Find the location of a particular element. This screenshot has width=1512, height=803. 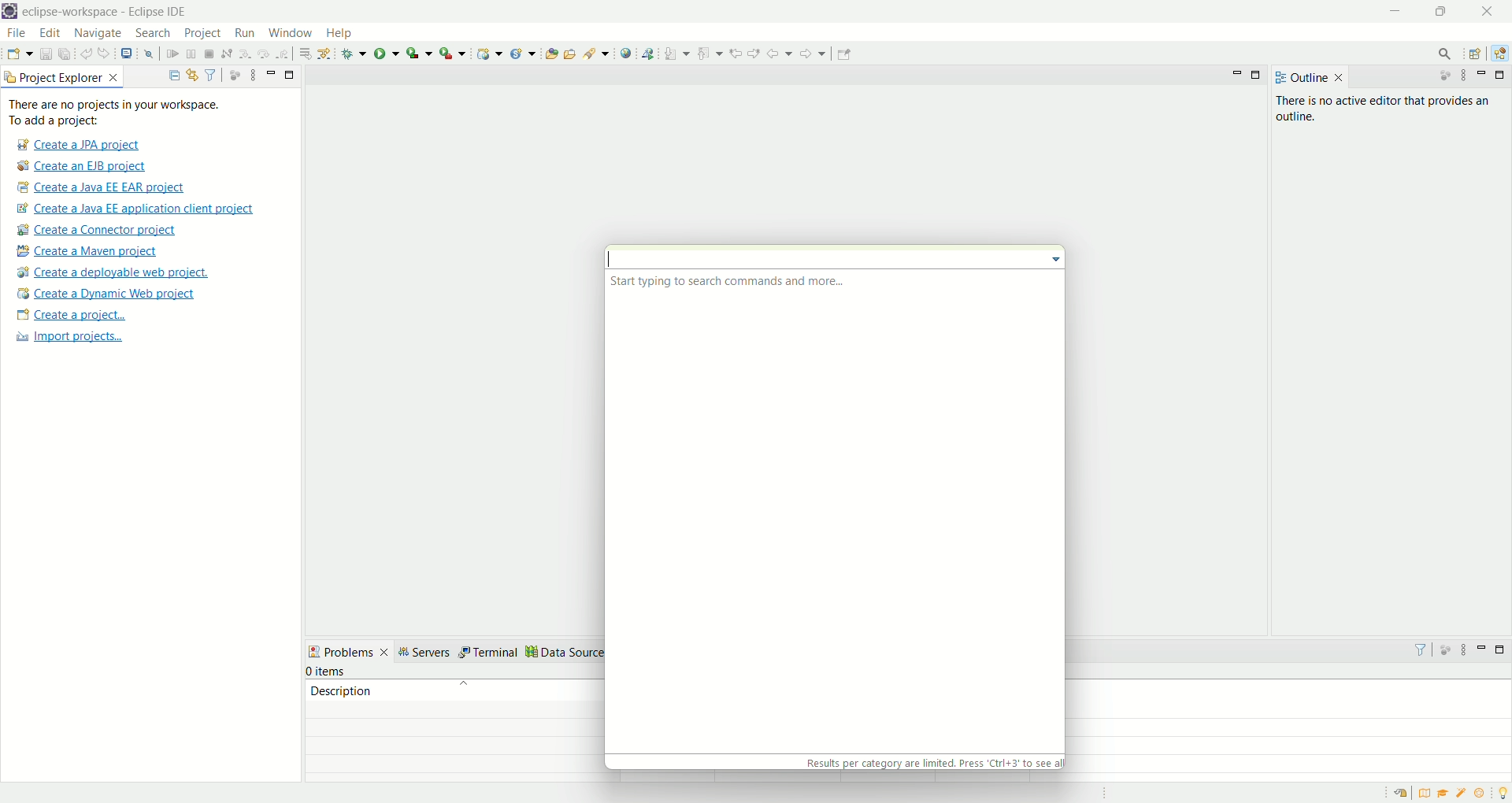

suspend is located at coordinates (190, 54).